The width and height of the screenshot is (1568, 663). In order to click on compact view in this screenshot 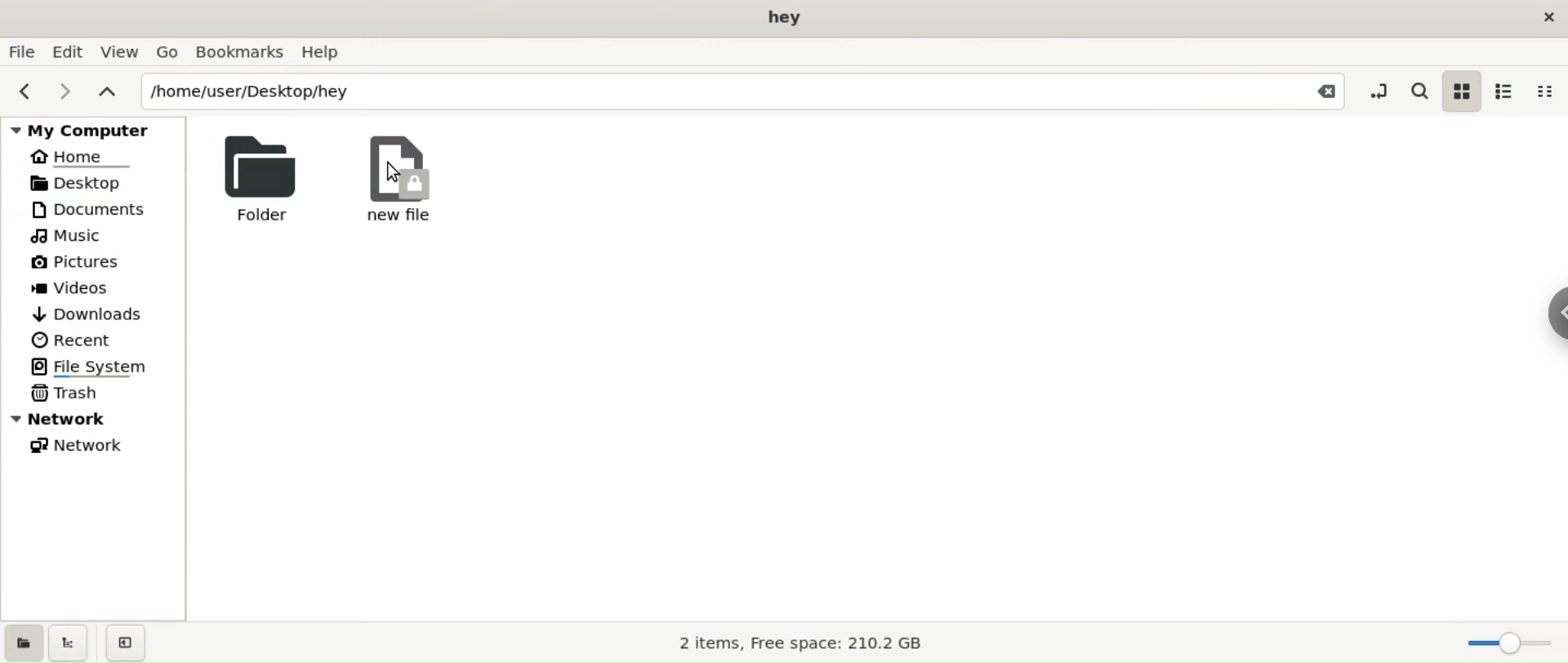, I will do `click(1547, 91)`.